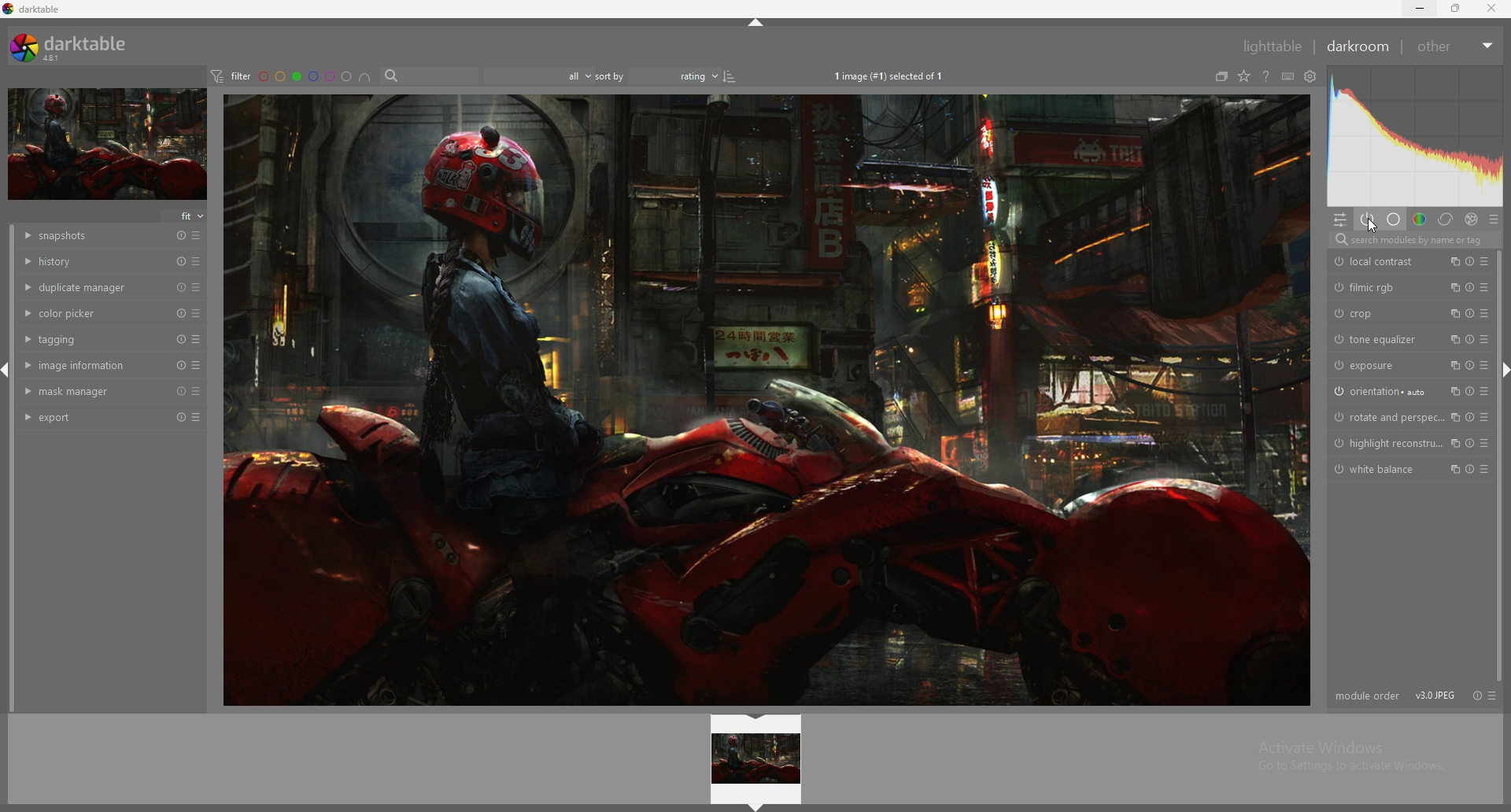 Image resolution: width=1511 pixels, height=812 pixels. I want to click on color, so click(1420, 218).